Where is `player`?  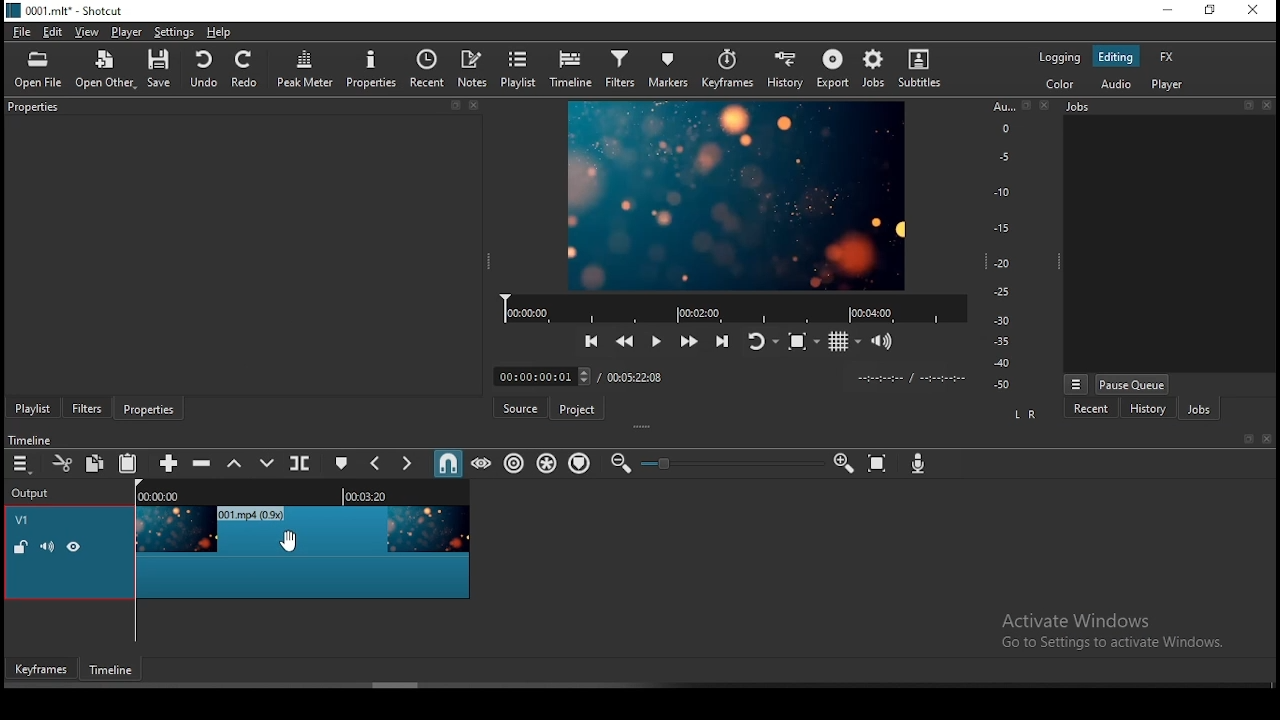
player is located at coordinates (127, 31).